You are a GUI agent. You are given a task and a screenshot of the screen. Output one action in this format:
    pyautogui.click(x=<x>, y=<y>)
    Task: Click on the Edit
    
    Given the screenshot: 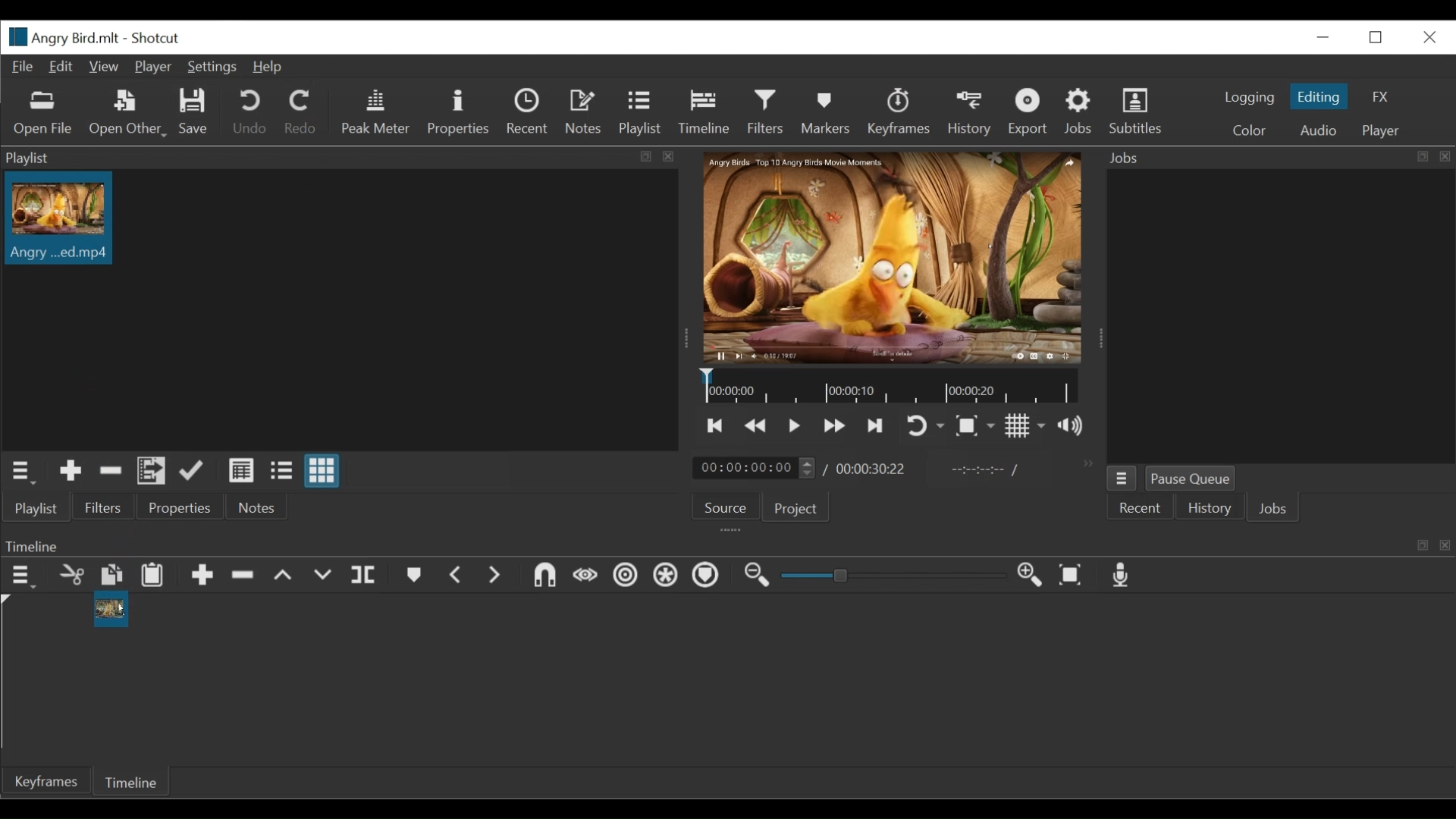 What is the action you would take?
    pyautogui.click(x=61, y=67)
    